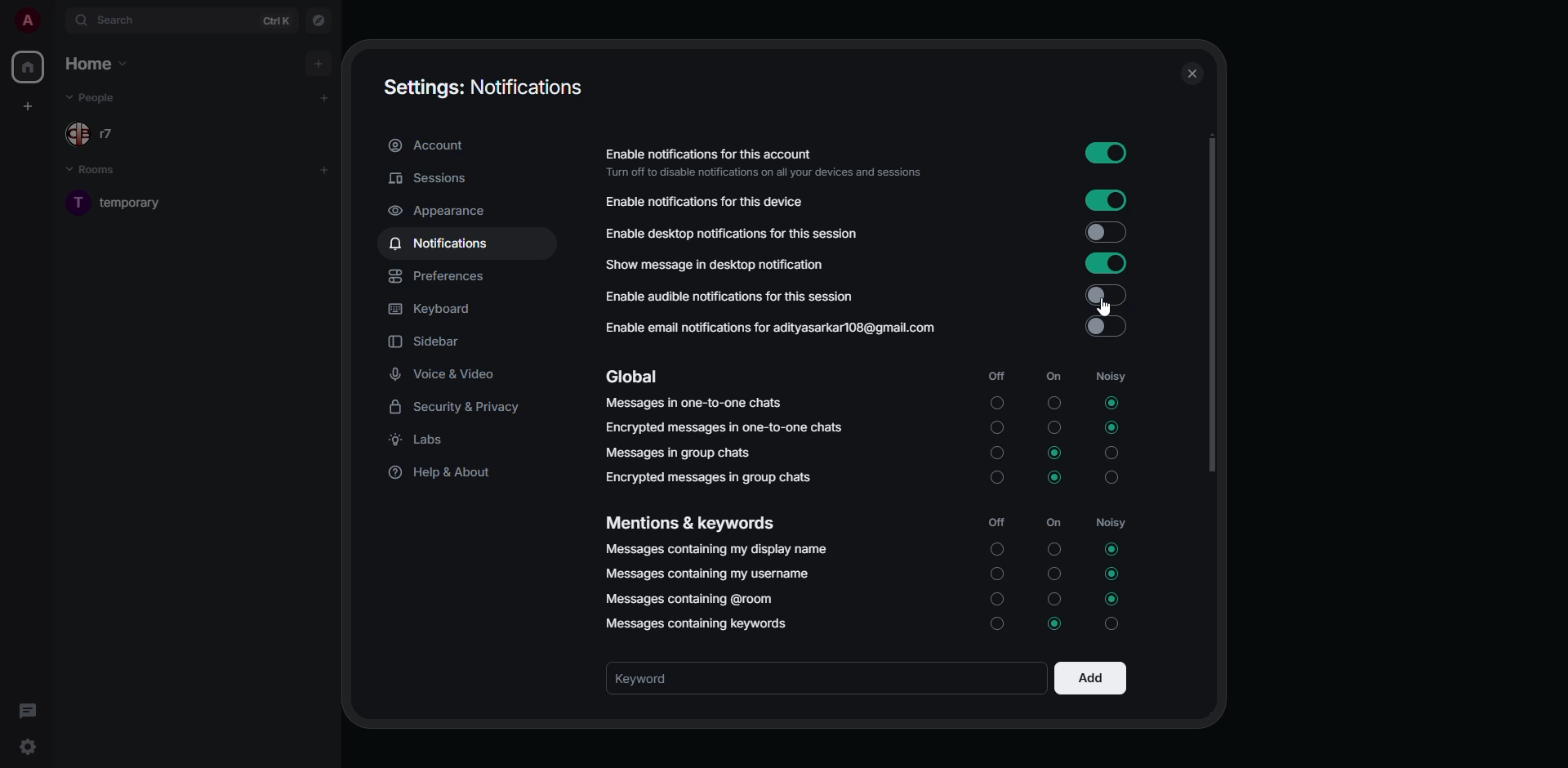 The width and height of the screenshot is (1568, 768). I want to click on On Unselected, so click(1053, 403).